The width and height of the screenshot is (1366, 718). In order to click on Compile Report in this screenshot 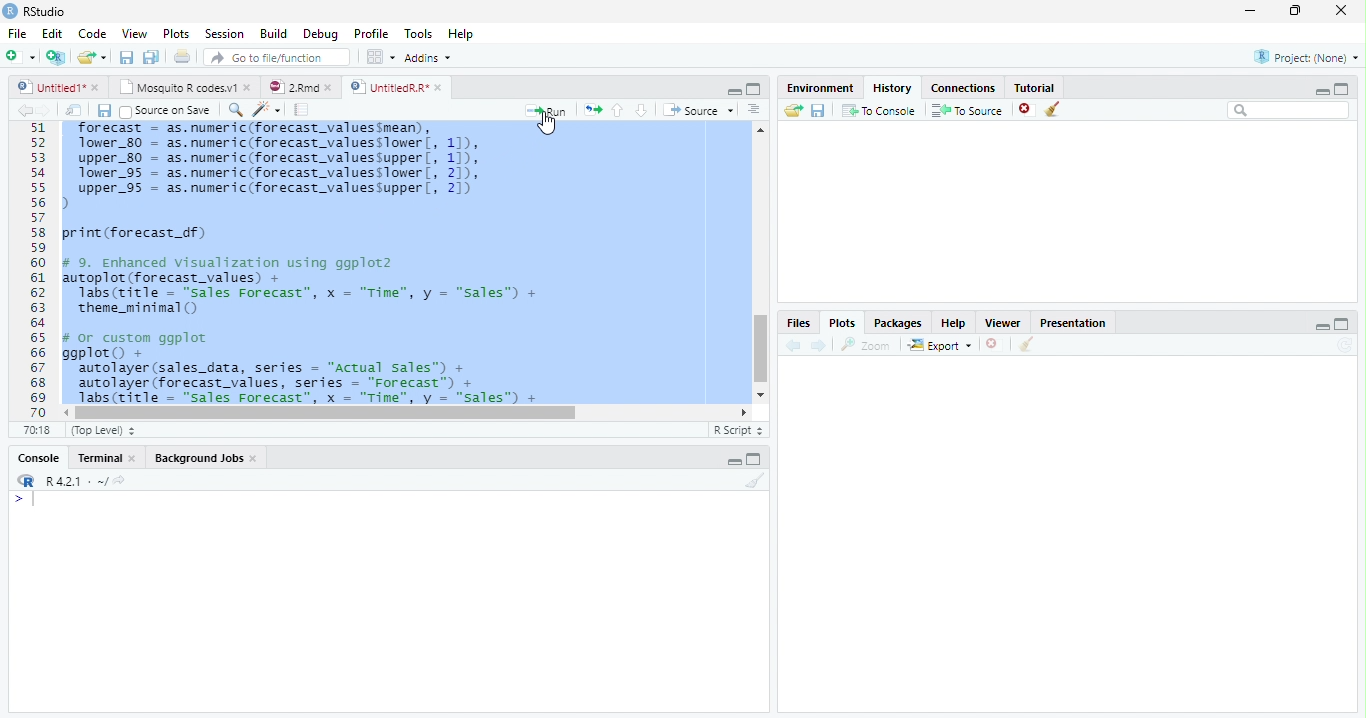, I will do `click(303, 109)`.